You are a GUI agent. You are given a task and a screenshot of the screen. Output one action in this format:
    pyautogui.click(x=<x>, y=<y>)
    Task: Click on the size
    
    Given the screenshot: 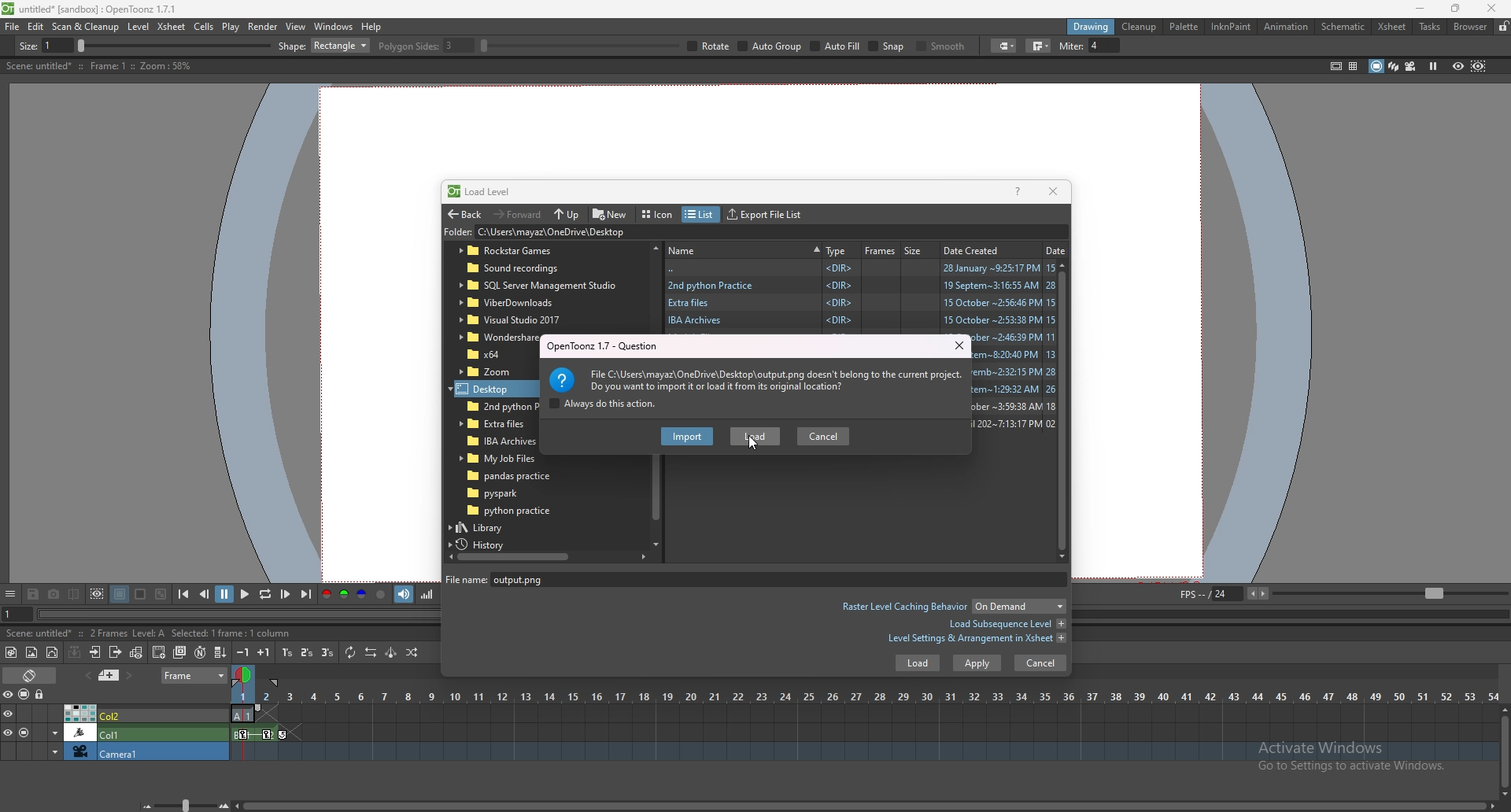 What is the action you would take?
    pyautogui.click(x=917, y=249)
    